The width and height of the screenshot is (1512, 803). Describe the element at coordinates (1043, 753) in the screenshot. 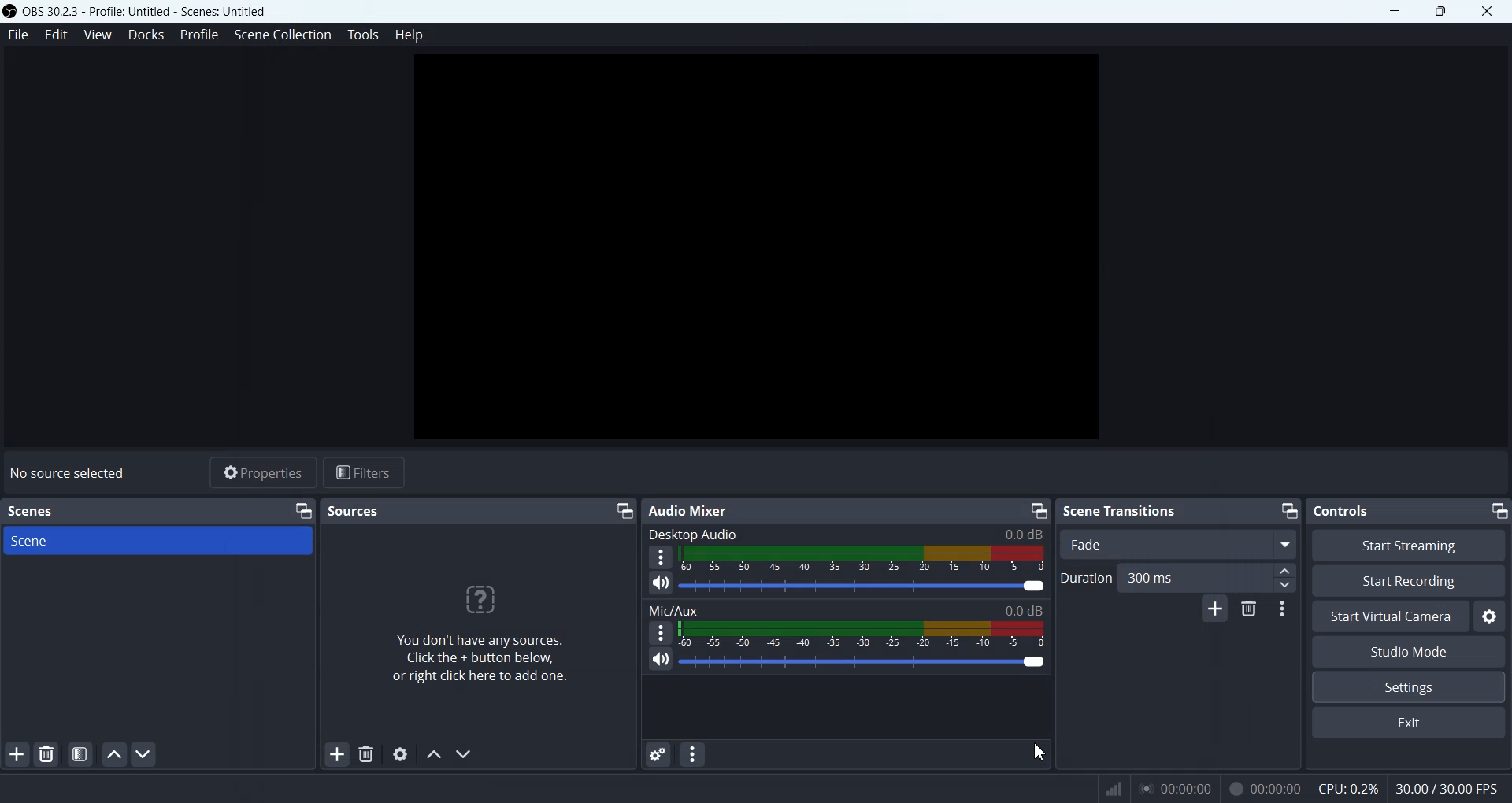

I see `Cursor` at that location.